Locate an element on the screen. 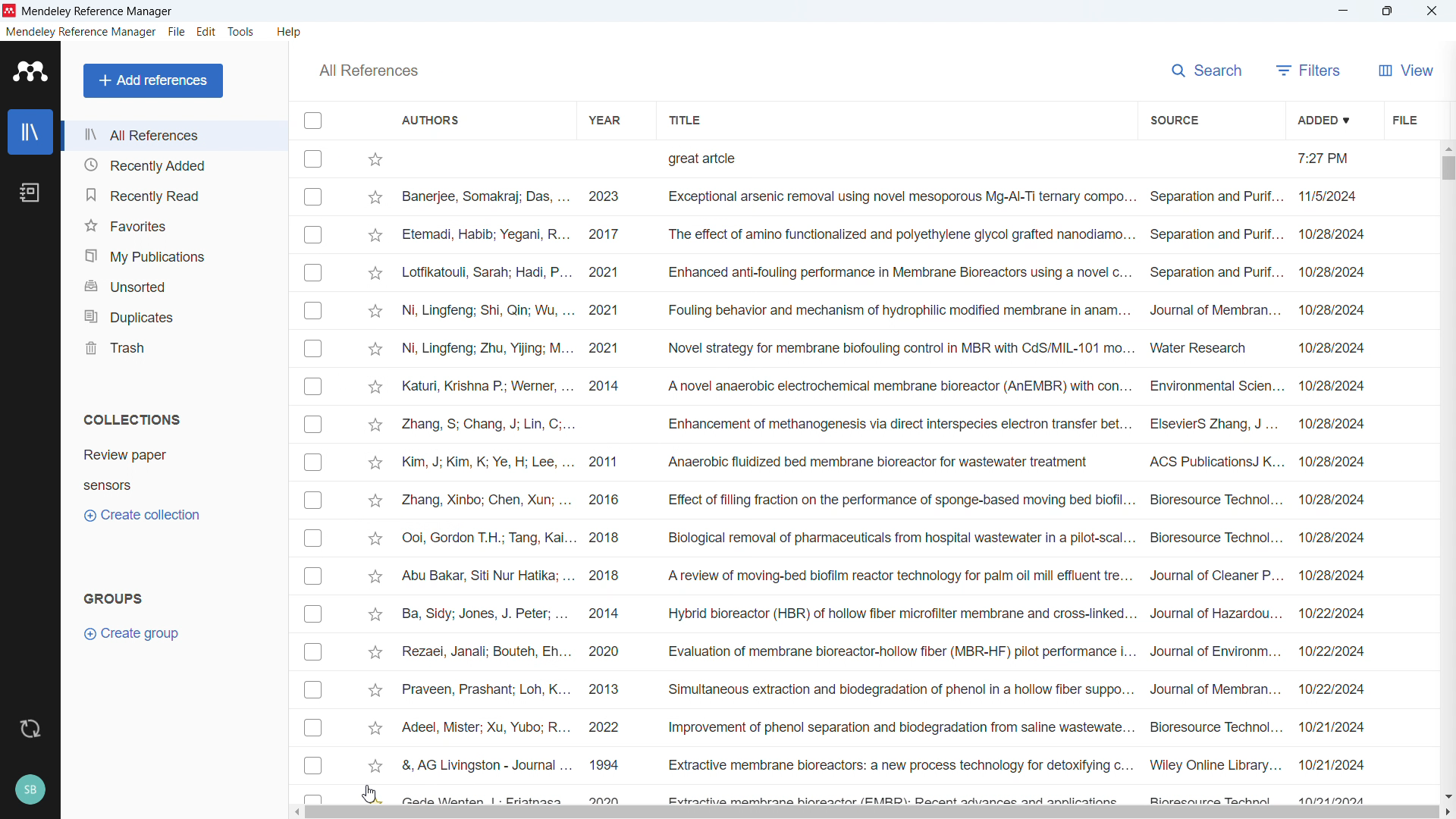 The width and height of the screenshot is (1456, 819). All references  is located at coordinates (174, 135).